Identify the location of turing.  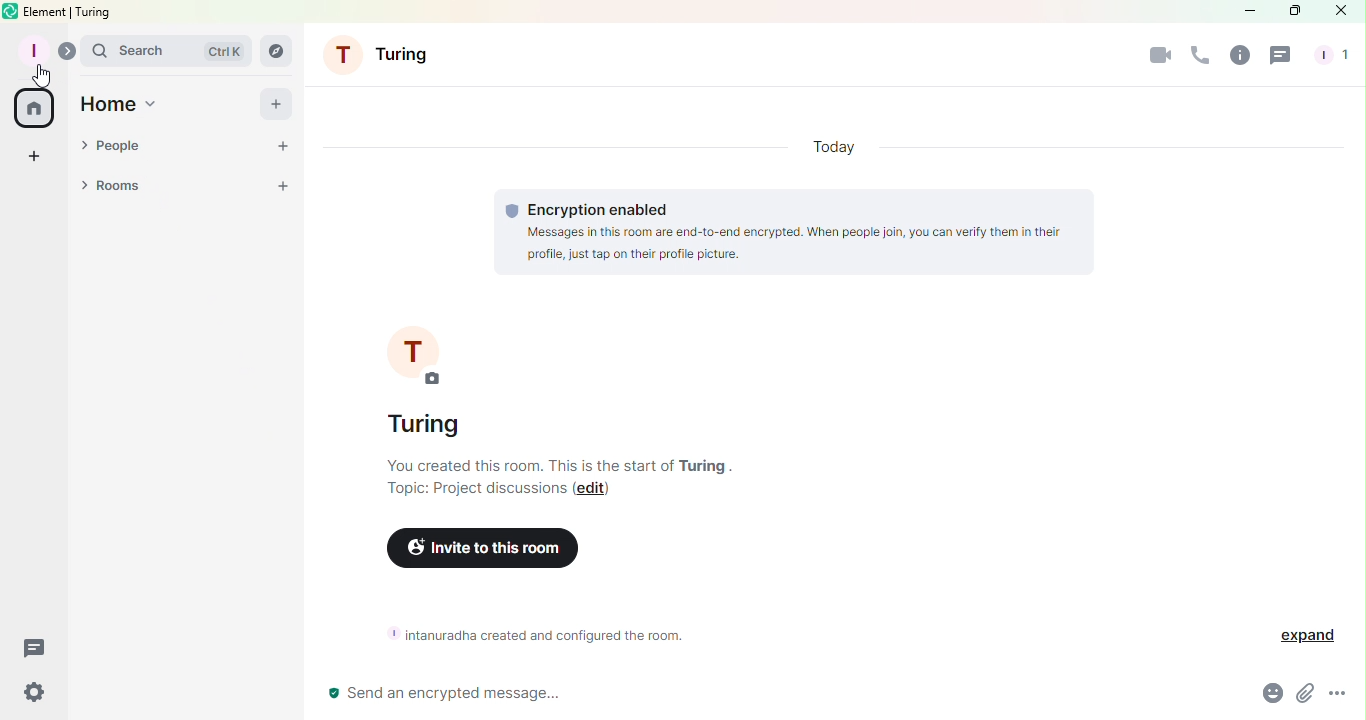
(94, 11).